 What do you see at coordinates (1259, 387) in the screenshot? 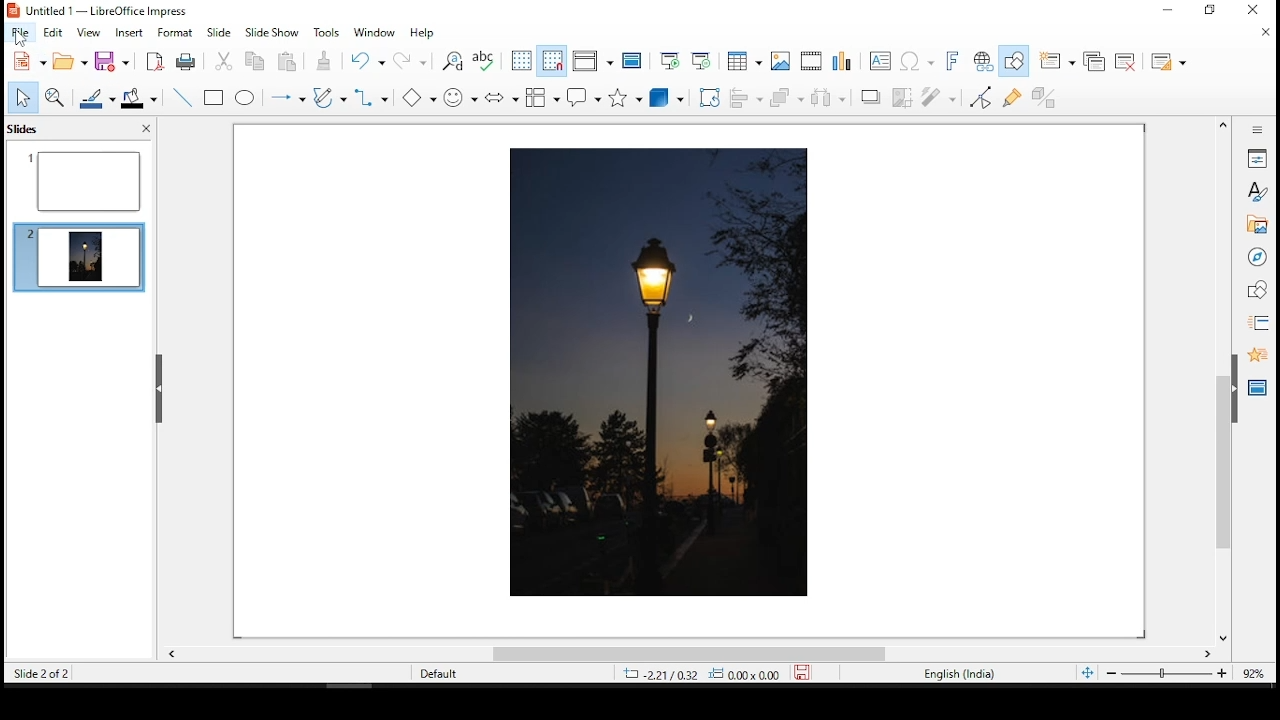
I see `master slides` at bounding box center [1259, 387].